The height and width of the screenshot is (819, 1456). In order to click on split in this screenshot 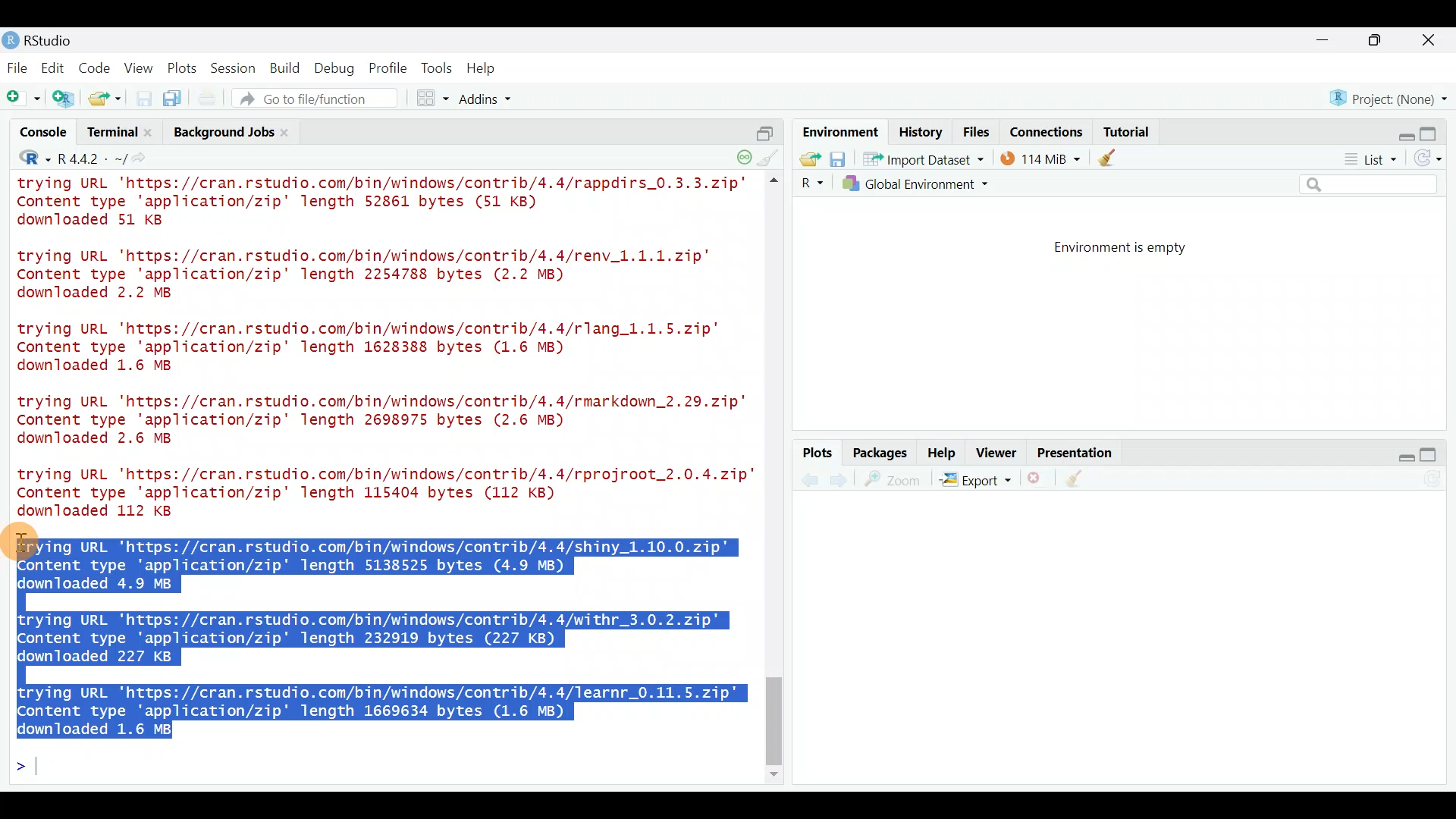, I will do `click(764, 127)`.